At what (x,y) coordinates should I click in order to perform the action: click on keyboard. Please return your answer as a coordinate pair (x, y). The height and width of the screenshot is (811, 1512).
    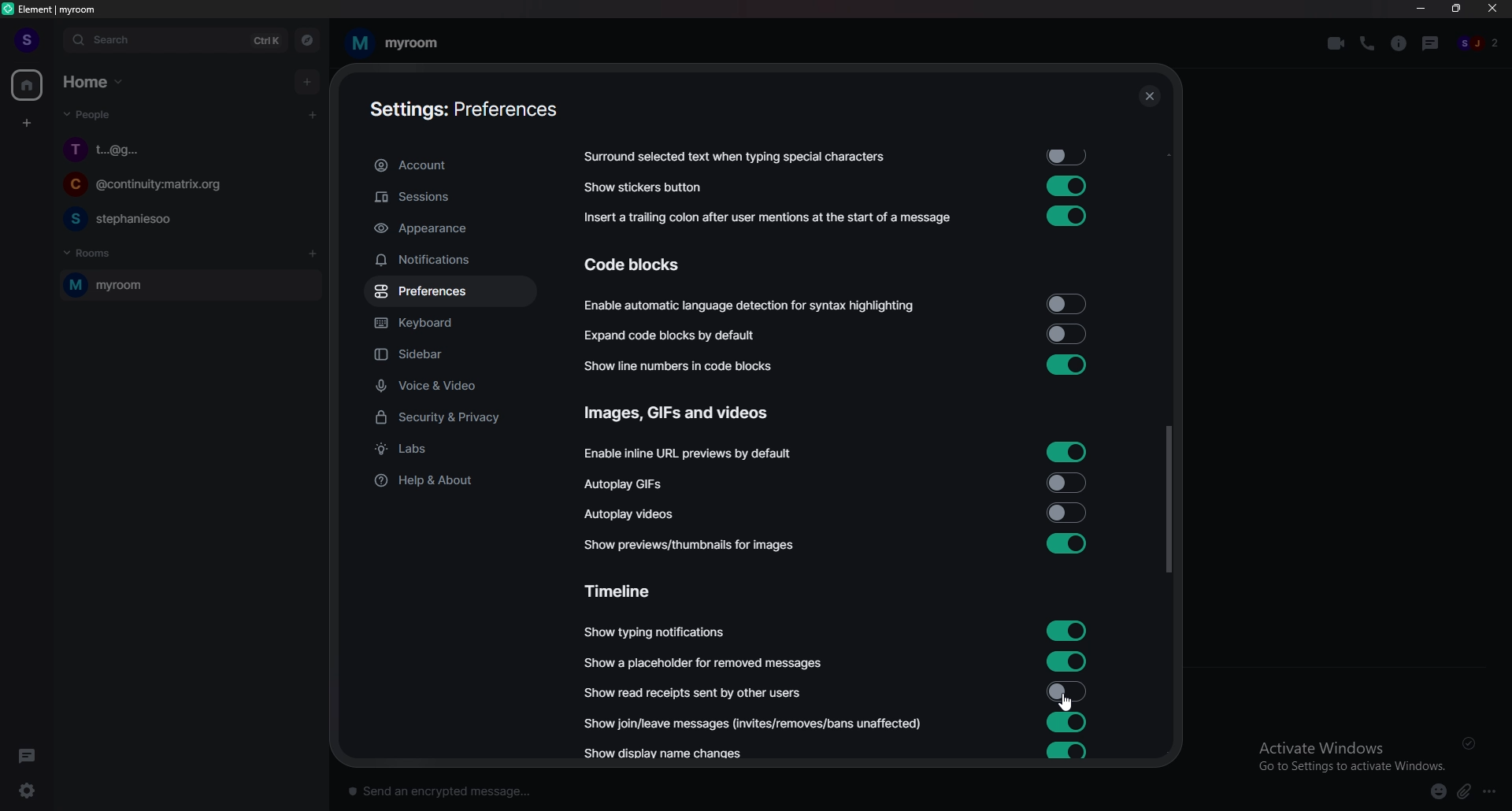
    Looking at the image, I should click on (448, 325).